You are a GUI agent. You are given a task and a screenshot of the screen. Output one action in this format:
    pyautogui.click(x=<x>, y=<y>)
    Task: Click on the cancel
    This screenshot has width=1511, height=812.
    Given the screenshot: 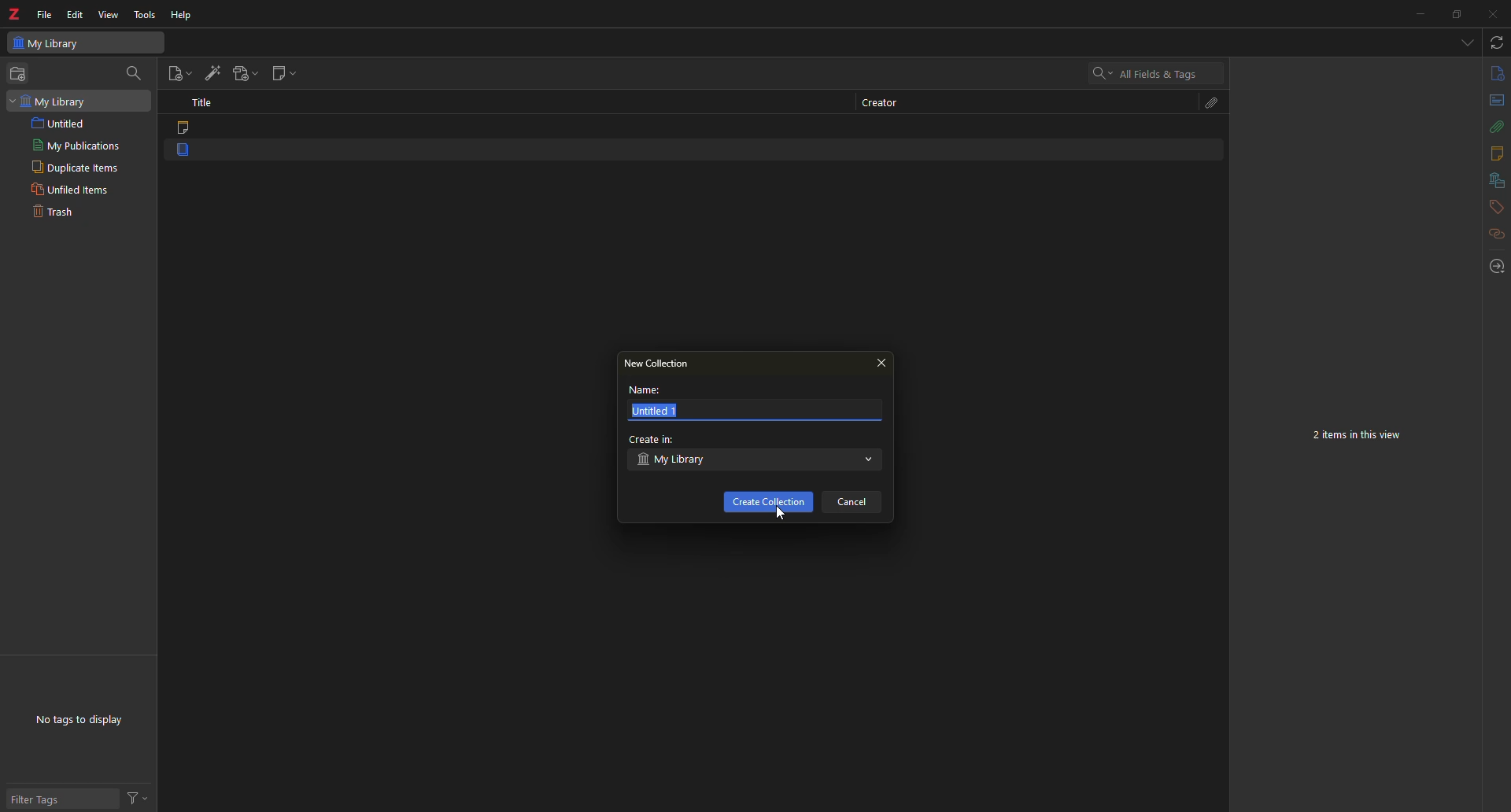 What is the action you would take?
    pyautogui.click(x=857, y=503)
    